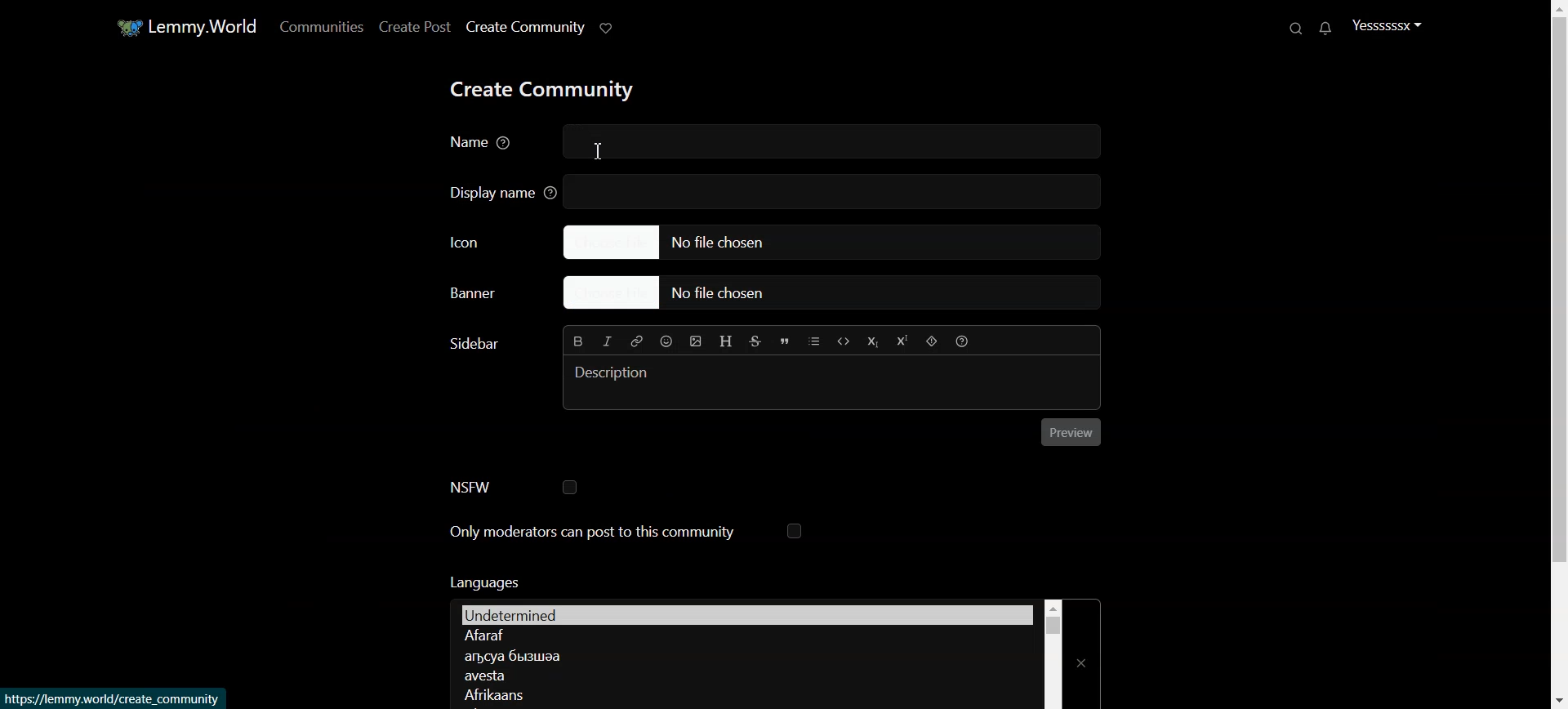 This screenshot has height=709, width=1568. What do you see at coordinates (727, 342) in the screenshot?
I see `Header` at bounding box center [727, 342].